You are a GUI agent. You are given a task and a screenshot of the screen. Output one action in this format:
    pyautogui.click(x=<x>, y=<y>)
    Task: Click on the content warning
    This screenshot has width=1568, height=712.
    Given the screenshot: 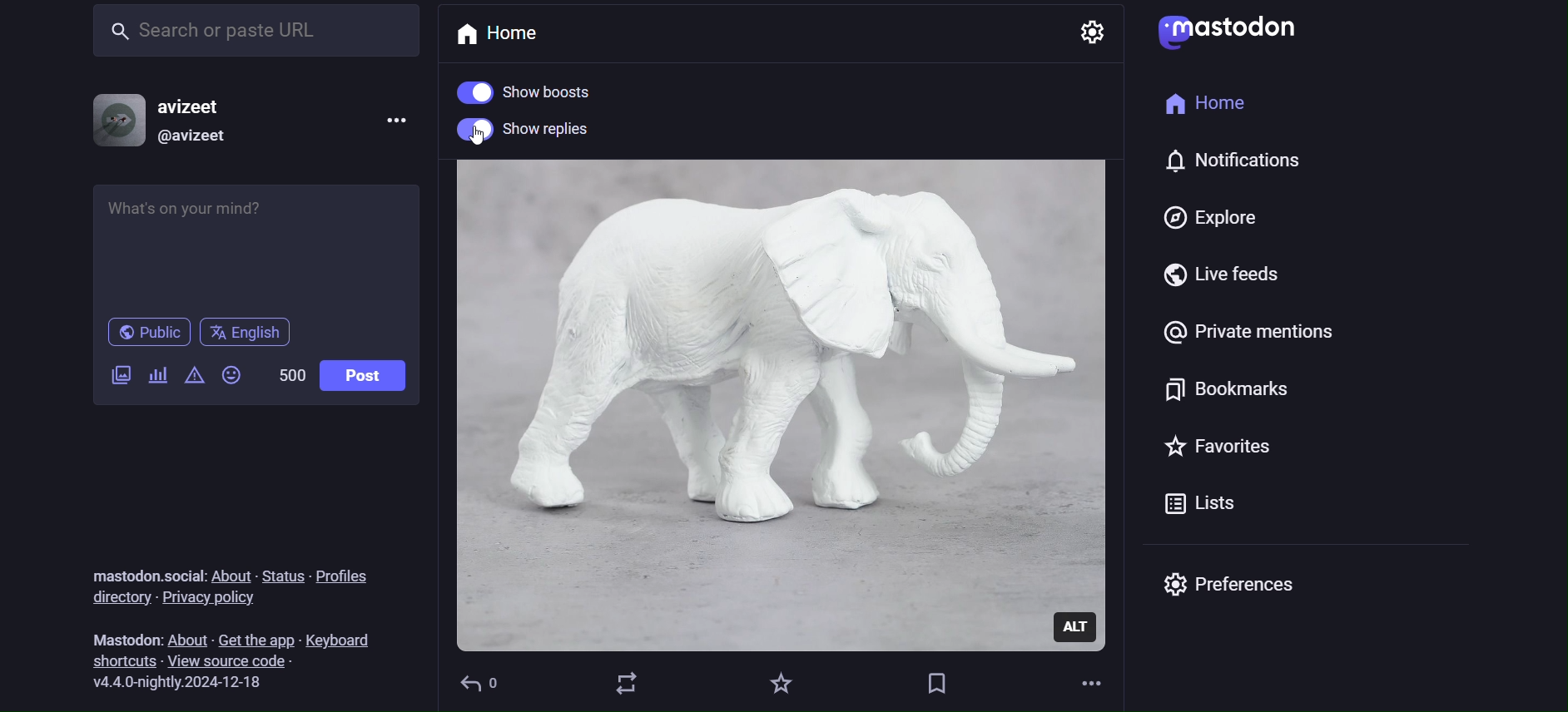 What is the action you would take?
    pyautogui.click(x=193, y=378)
    